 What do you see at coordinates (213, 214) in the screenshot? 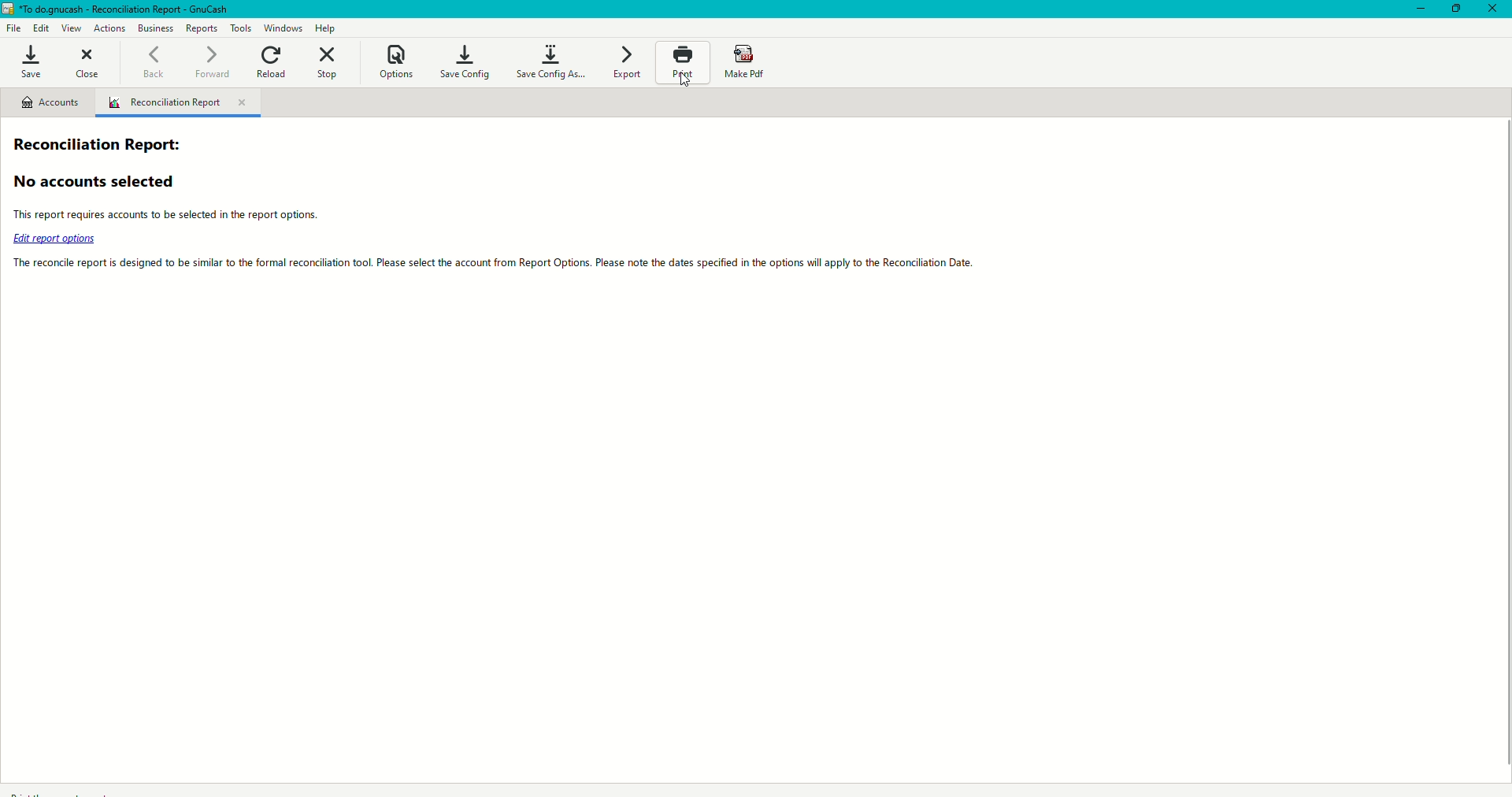
I see `This report requires accounts to be selected in the report options` at bounding box center [213, 214].